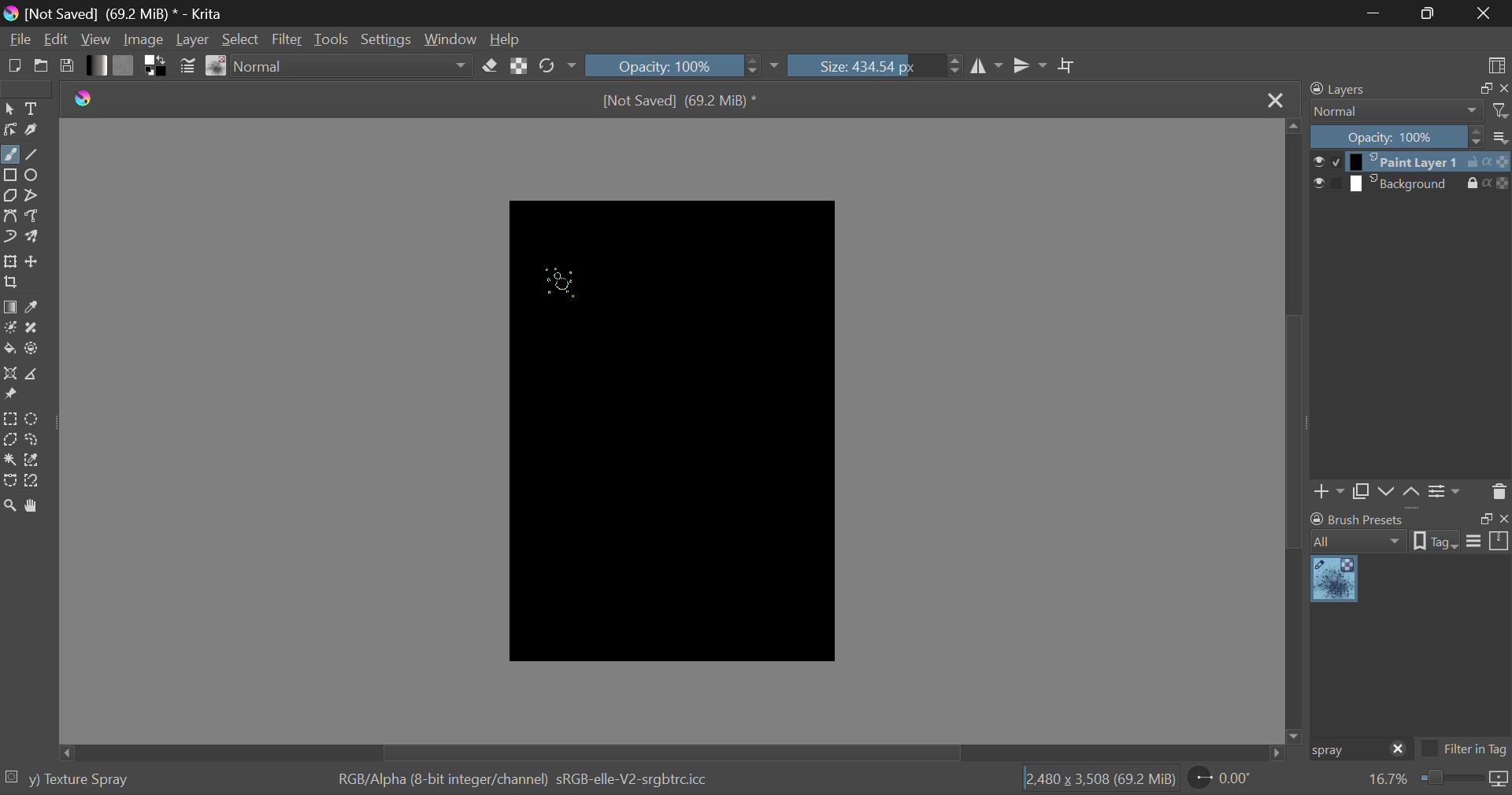 The image size is (1512, 795). I want to click on Image, so click(148, 38).